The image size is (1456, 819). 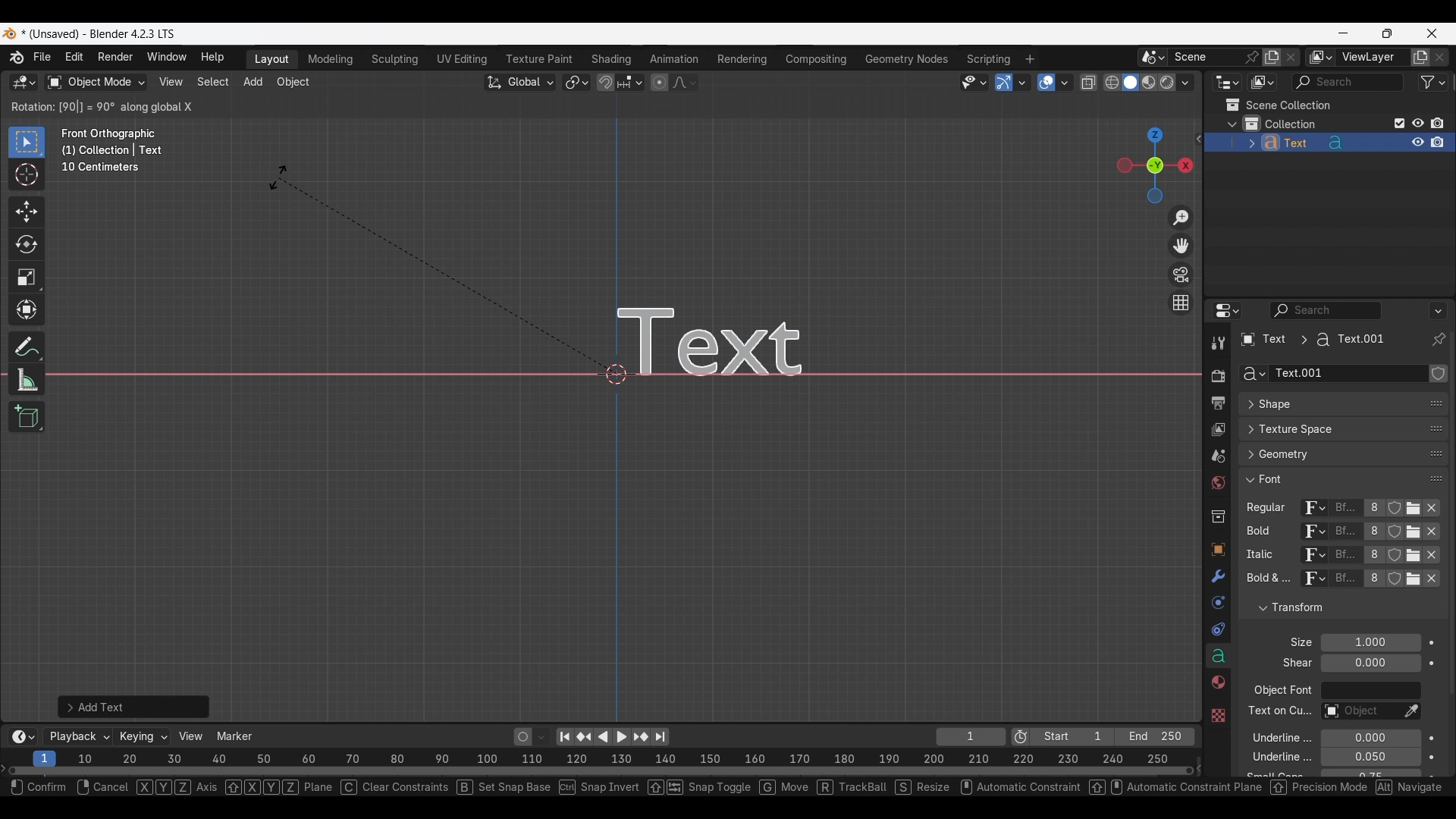 What do you see at coordinates (1434, 455) in the screenshot?
I see `change position` at bounding box center [1434, 455].